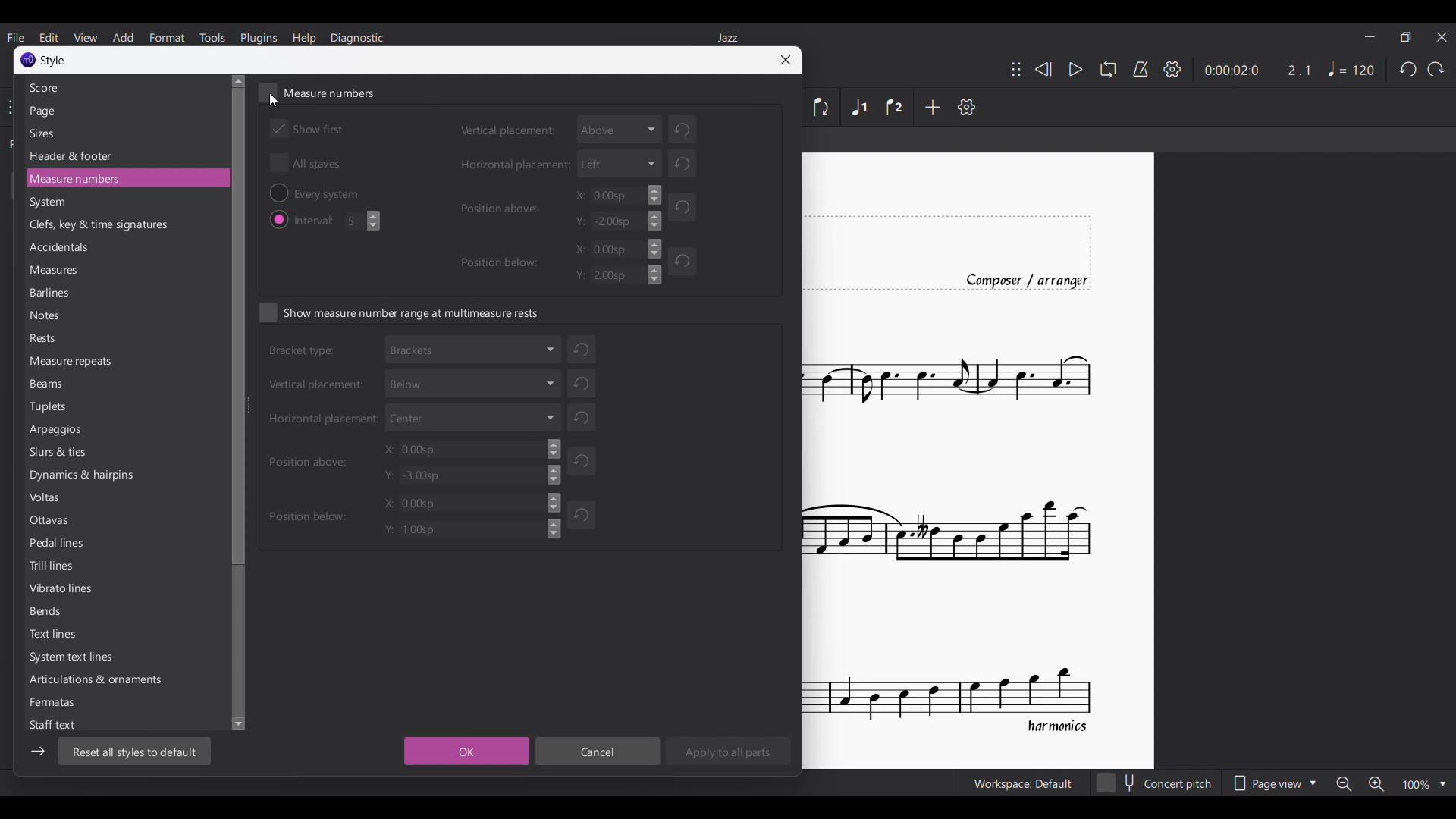 This screenshot has width=1456, height=819. What do you see at coordinates (932, 107) in the screenshot?
I see `Add` at bounding box center [932, 107].